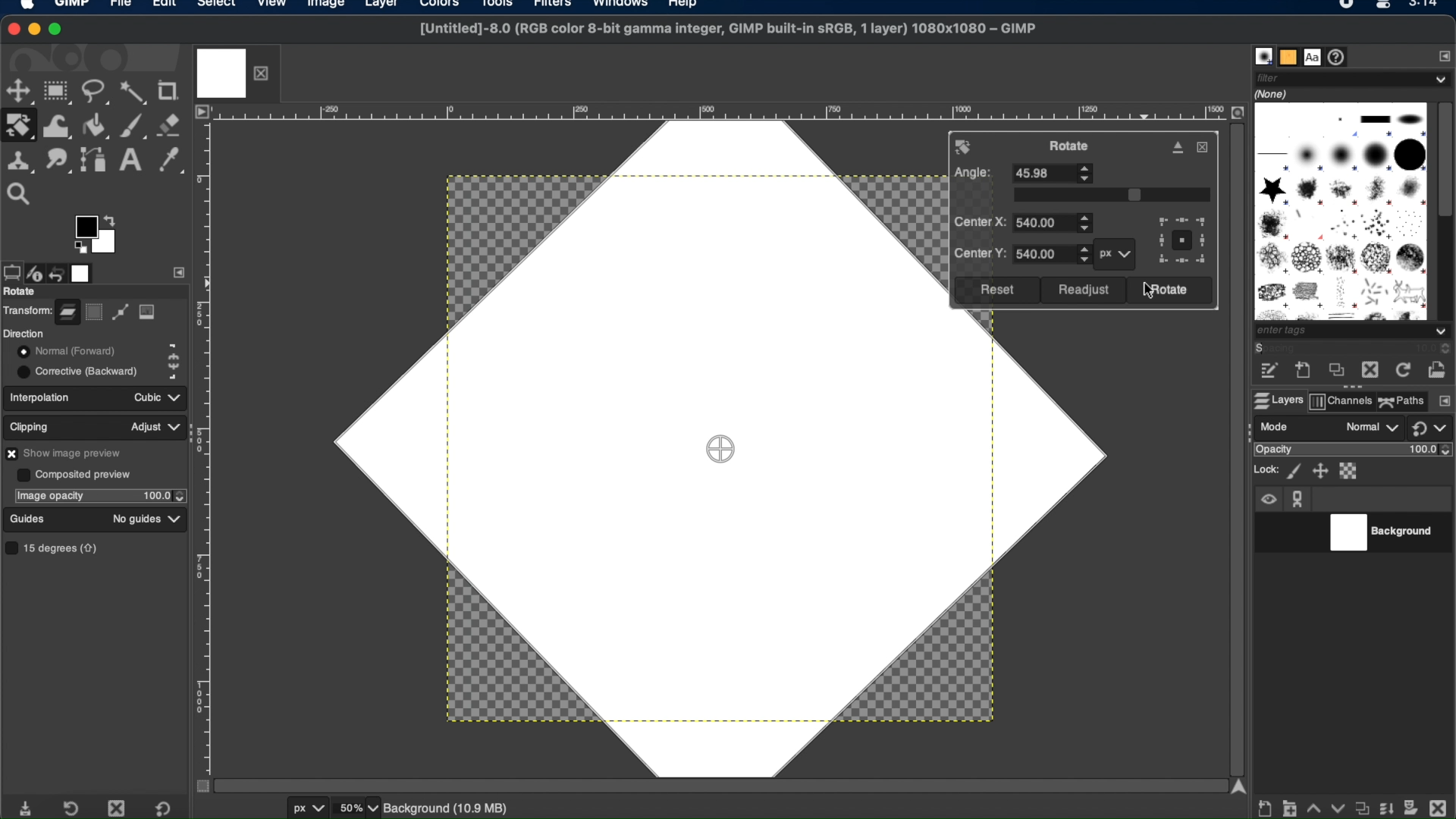 This screenshot has height=819, width=1456. What do you see at coordinates (58, 159) in the screenshot?
I see `smudge tool` at bounding box center [58, 159].